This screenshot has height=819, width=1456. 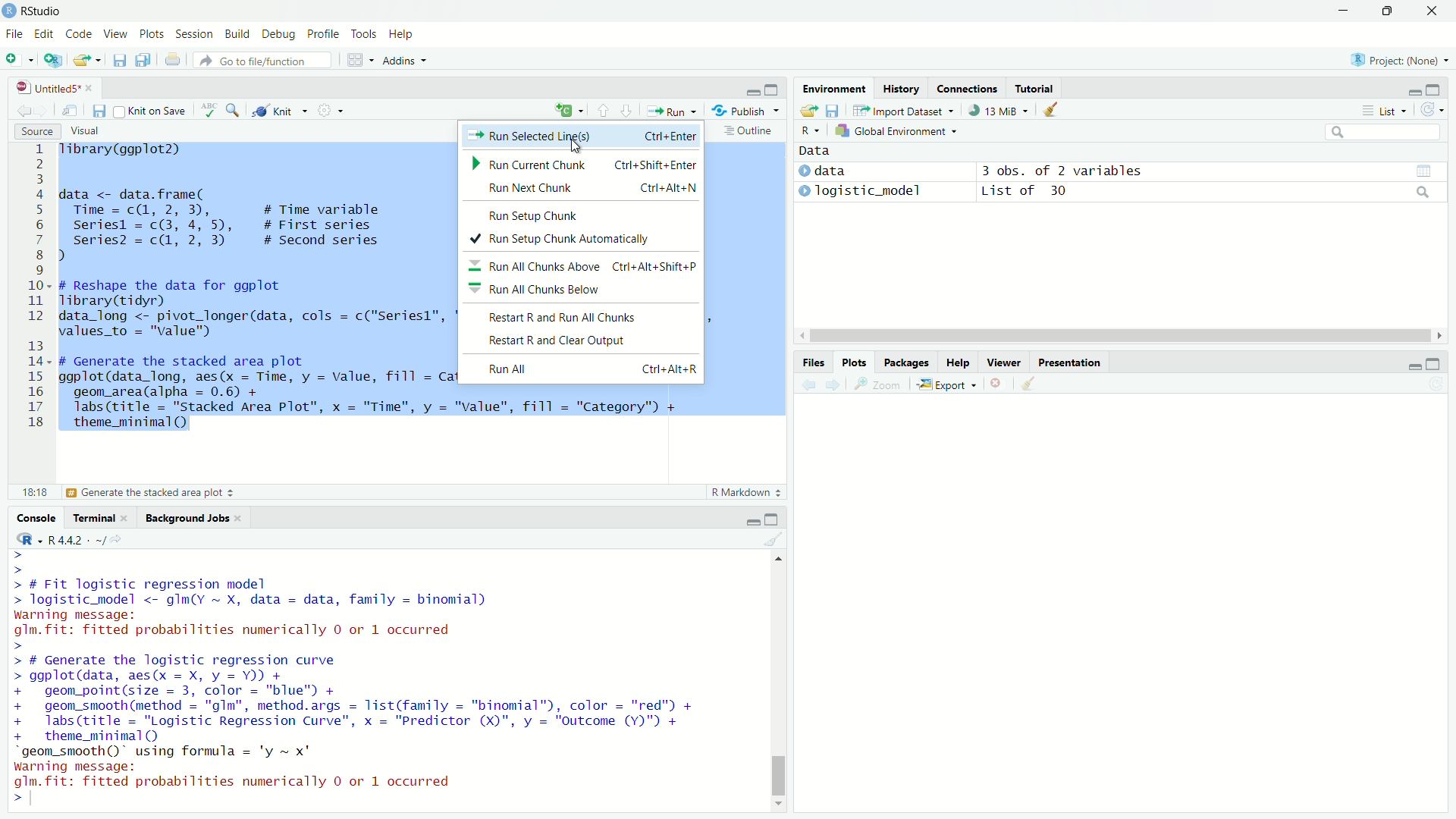 I want to click on Packages, so click(x=907, y=363).